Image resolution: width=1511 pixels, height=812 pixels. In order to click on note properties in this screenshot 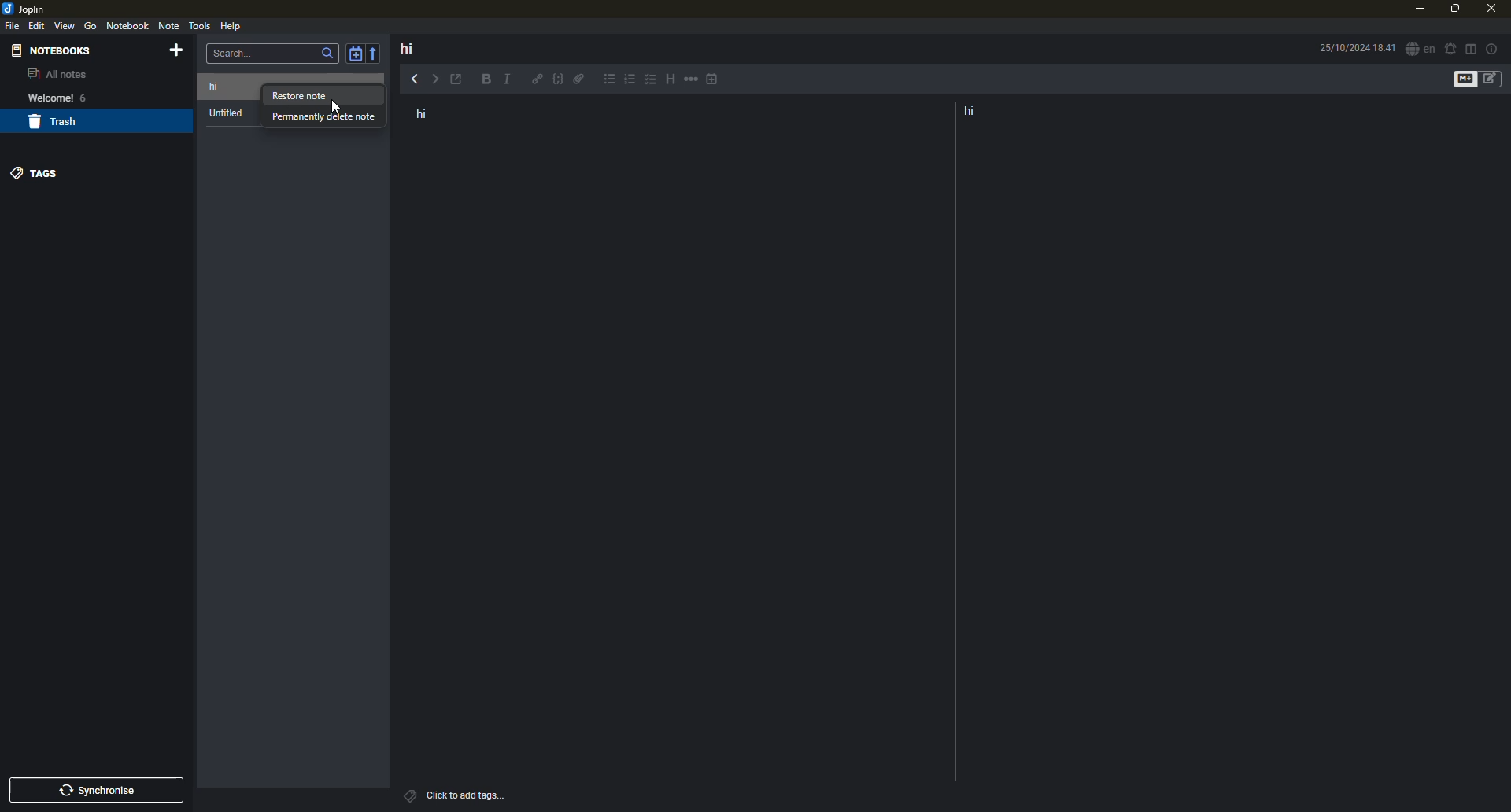, I will do `click(1493, 48)`.